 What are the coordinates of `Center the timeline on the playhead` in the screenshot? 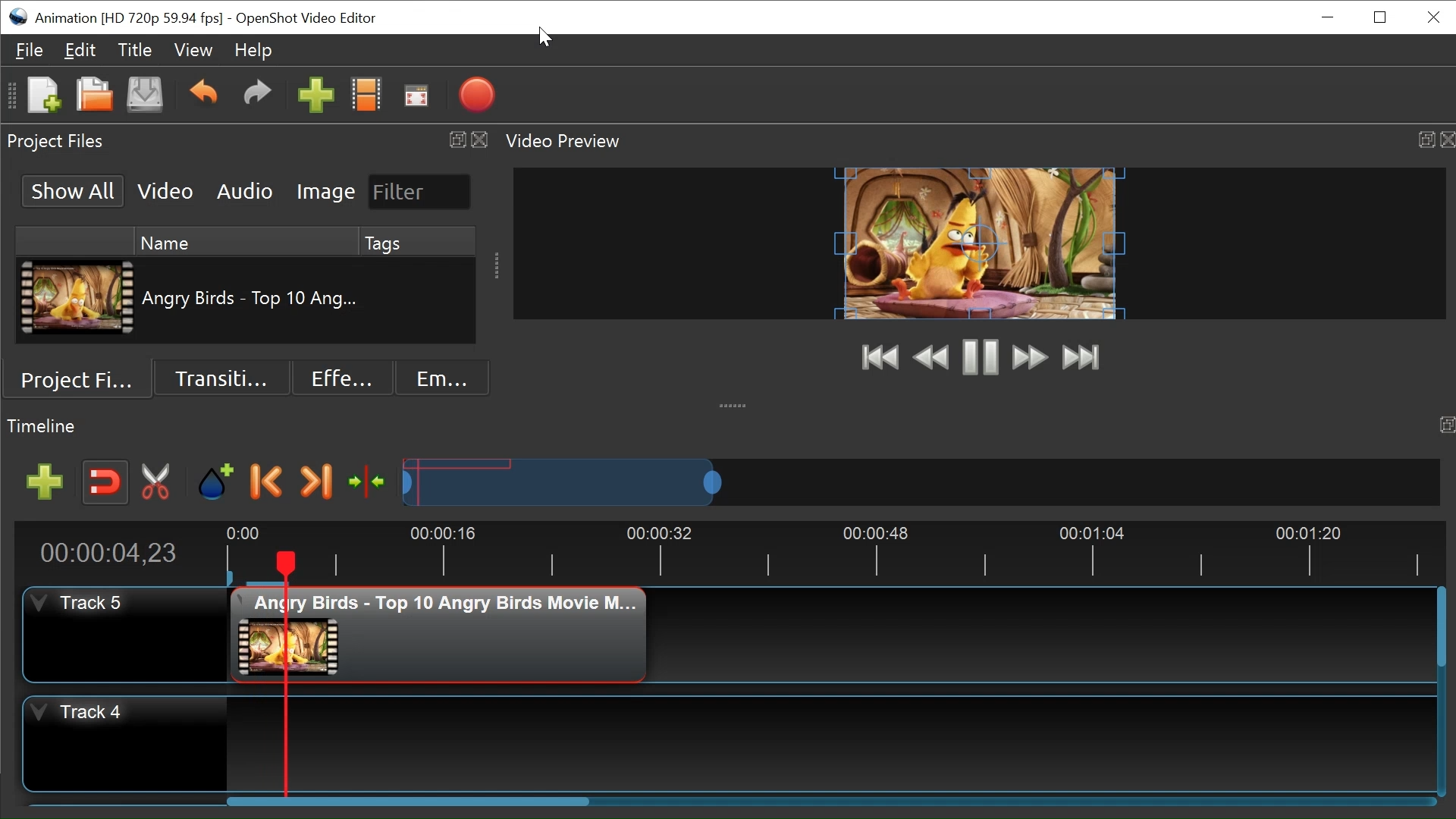 It's located at (370, 484).